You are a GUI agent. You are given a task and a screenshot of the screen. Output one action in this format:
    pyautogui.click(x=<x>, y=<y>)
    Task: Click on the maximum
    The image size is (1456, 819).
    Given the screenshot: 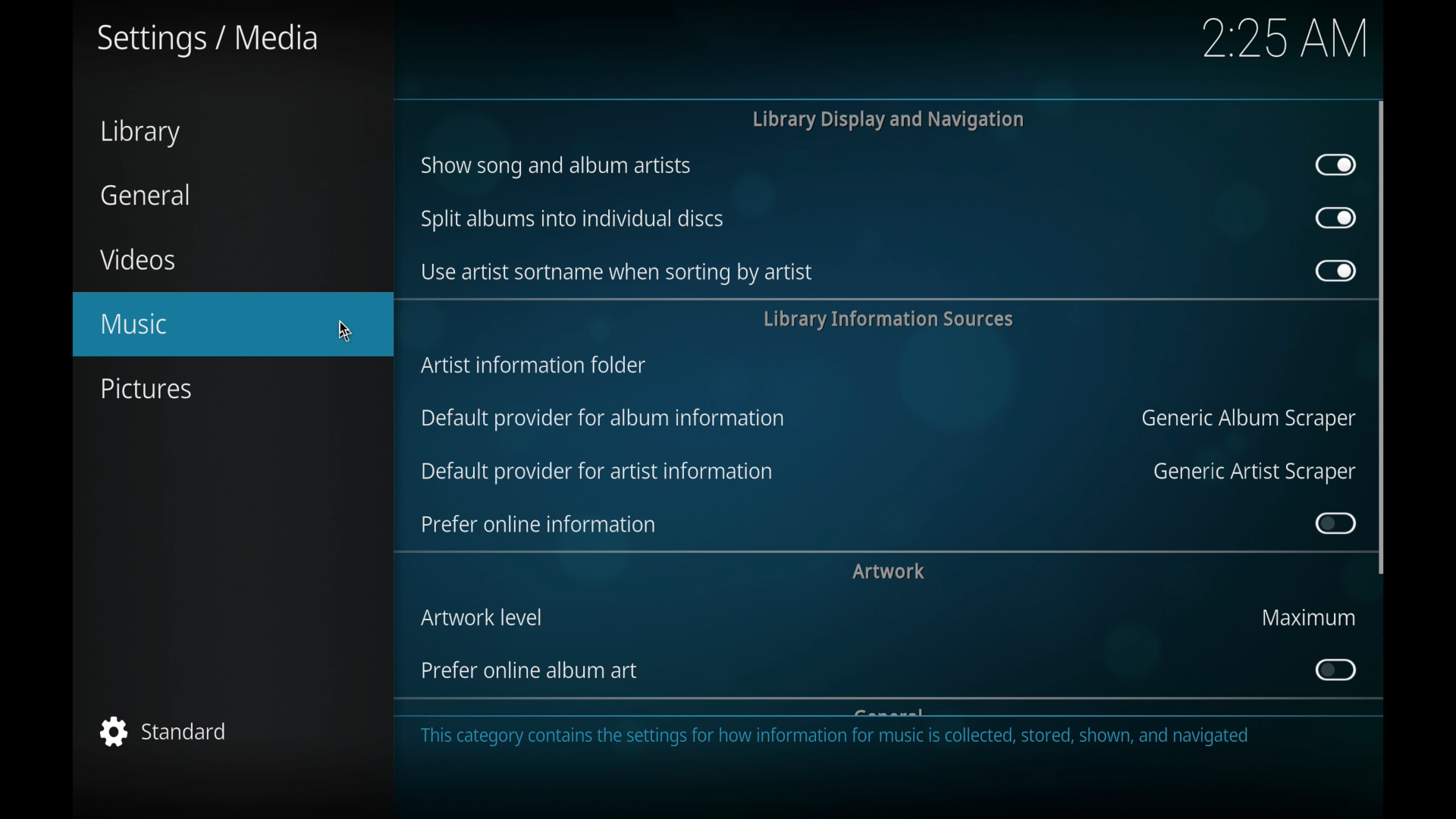 What is the action you would take?
    pyautogui.click(x=1307, y=617)
    